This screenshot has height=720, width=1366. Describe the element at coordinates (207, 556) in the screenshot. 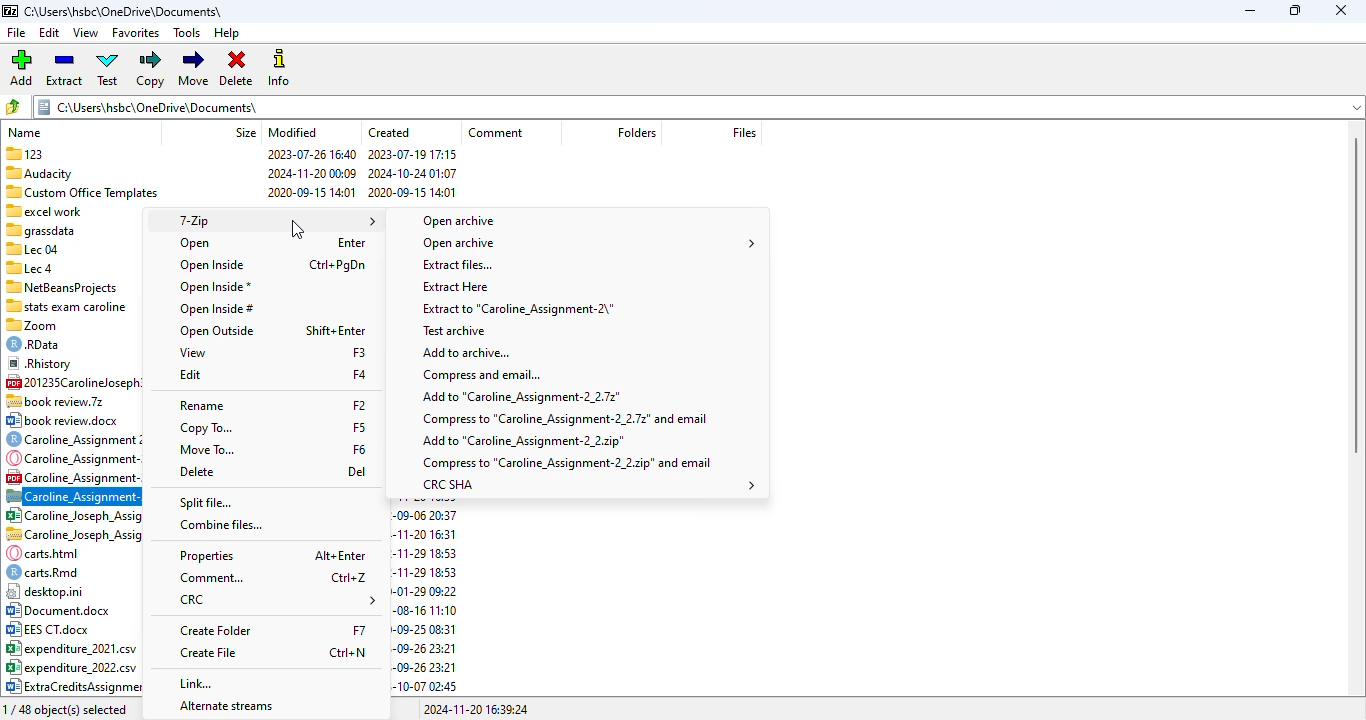

I see `properties` at that location.